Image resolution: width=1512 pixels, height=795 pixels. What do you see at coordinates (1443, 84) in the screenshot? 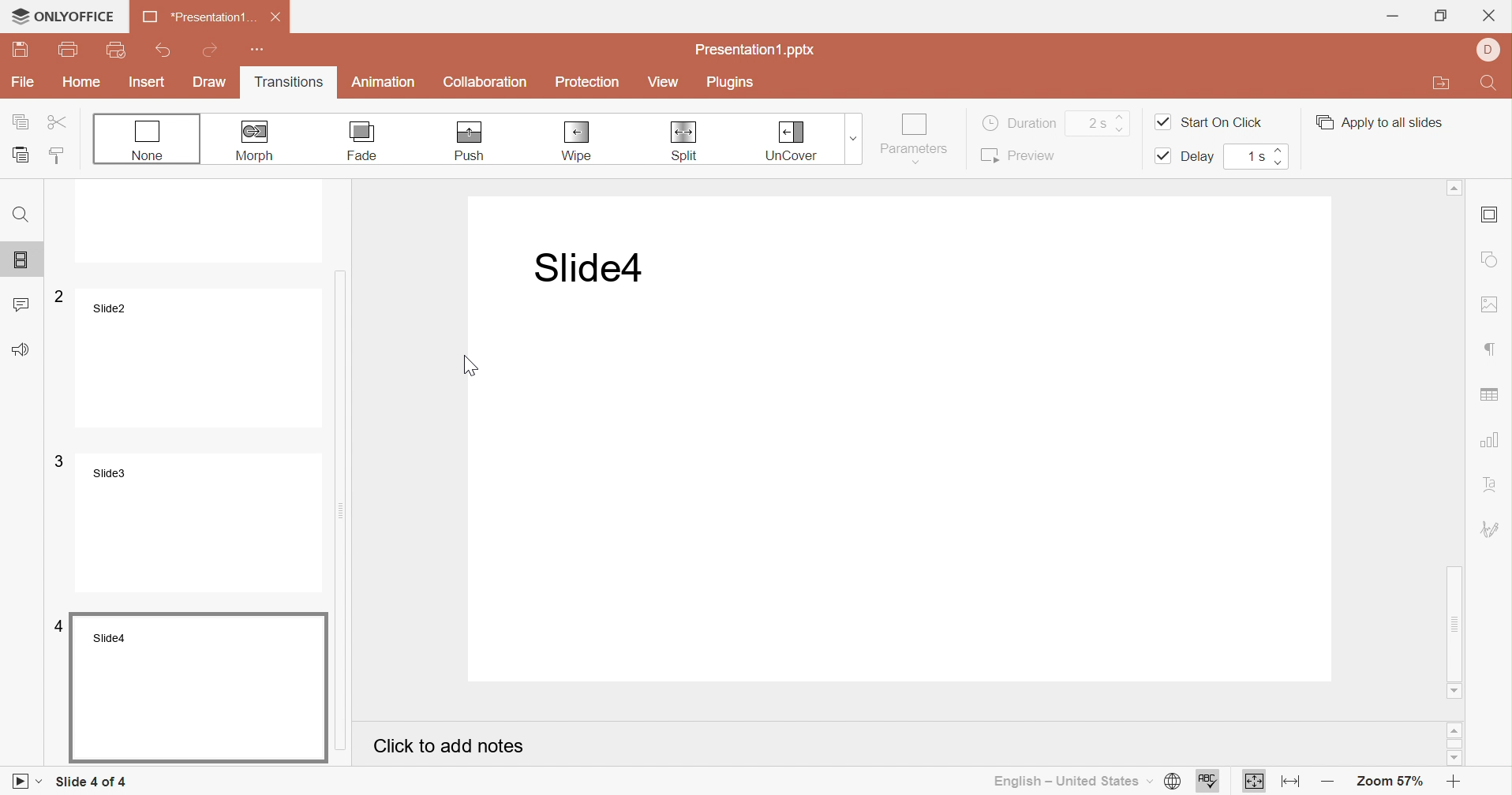
I see `Open file location` at bounding box center [1443, 84].